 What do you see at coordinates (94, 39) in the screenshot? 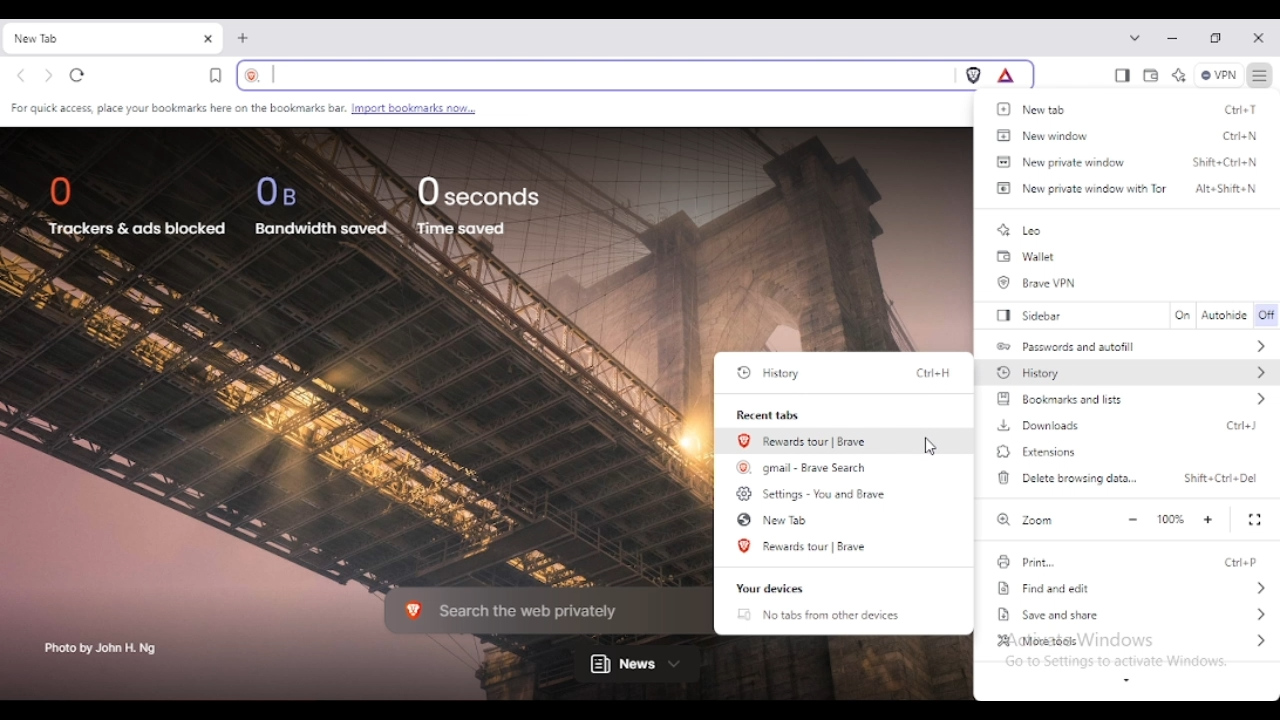
I see `new tab` at bounding box center [94, 39].